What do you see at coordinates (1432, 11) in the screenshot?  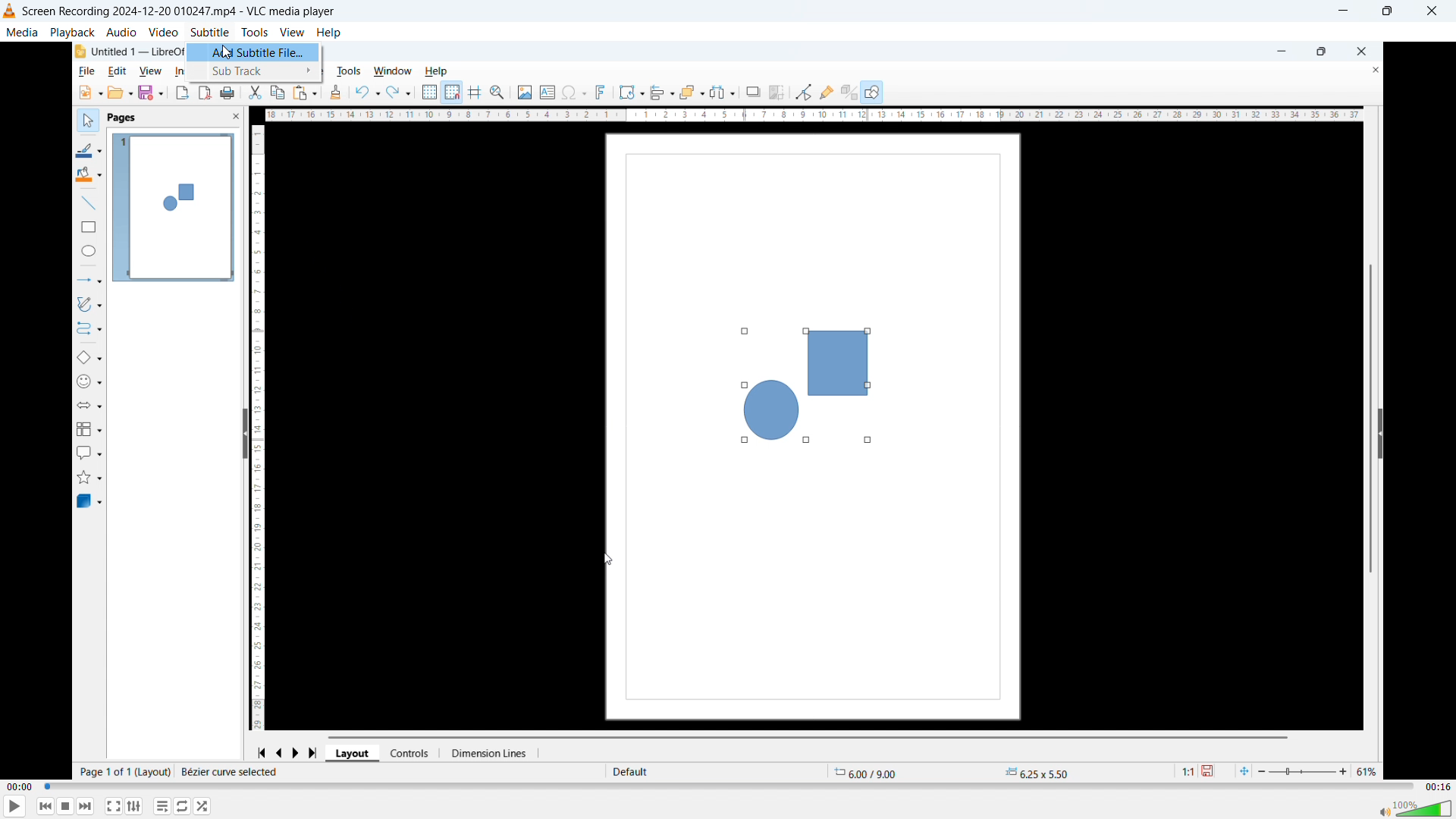 I see `close ` at bounding box center [1432, 11].